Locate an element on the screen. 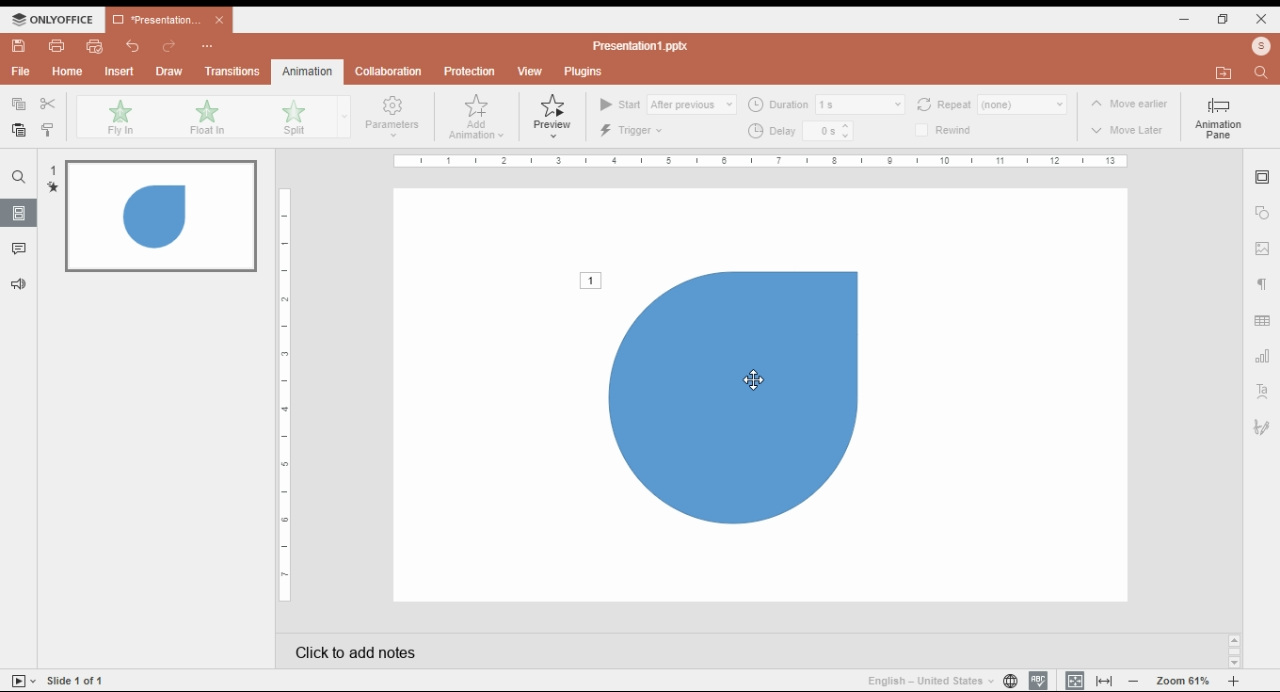 Image resolution: width=1280 pixels, height=692 pixels. home is located at coordinates (68, 71).